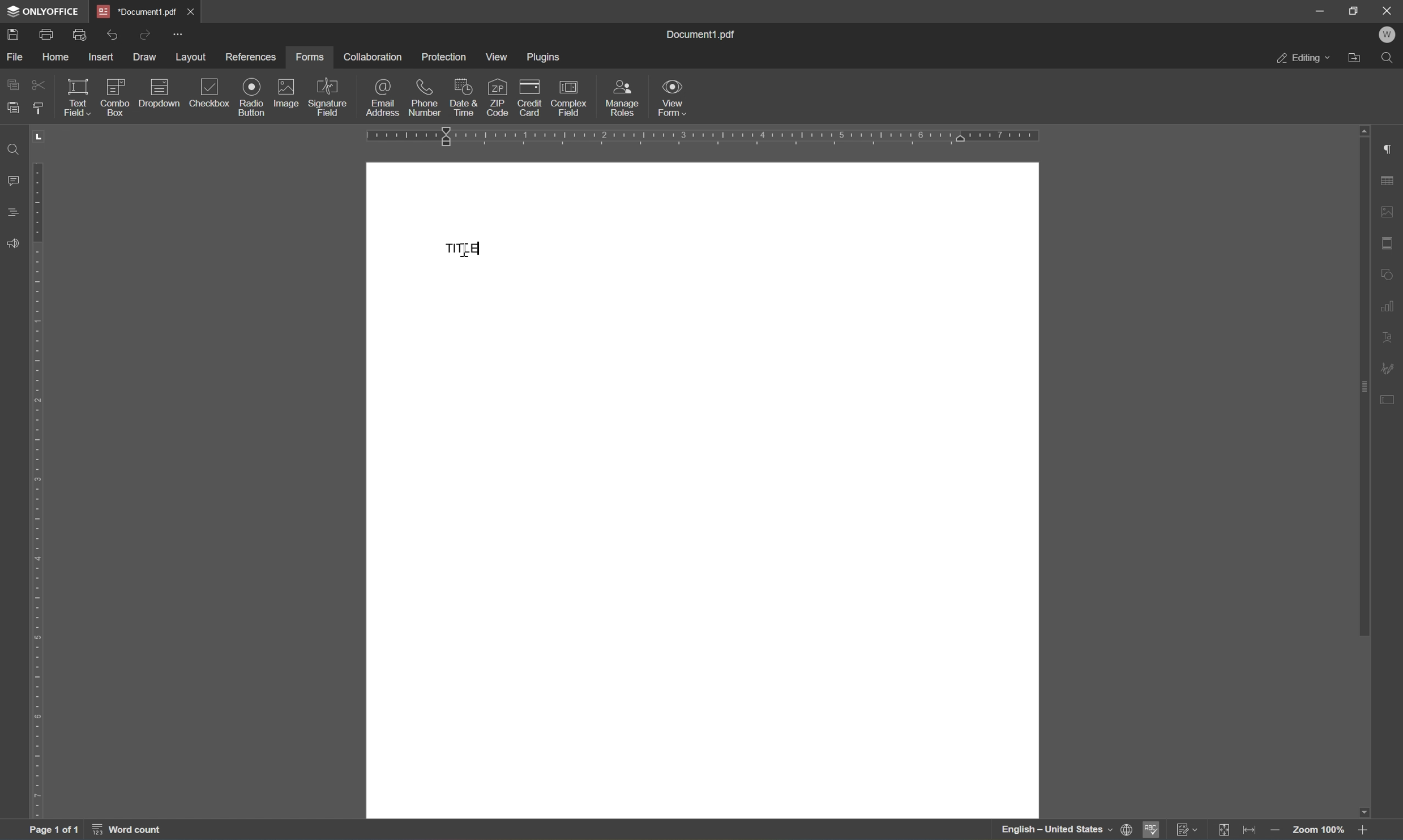 The image size is (1403, 840). Describe the element at coordinates (130, 831) in the screenshot. I see `word count` at that location.